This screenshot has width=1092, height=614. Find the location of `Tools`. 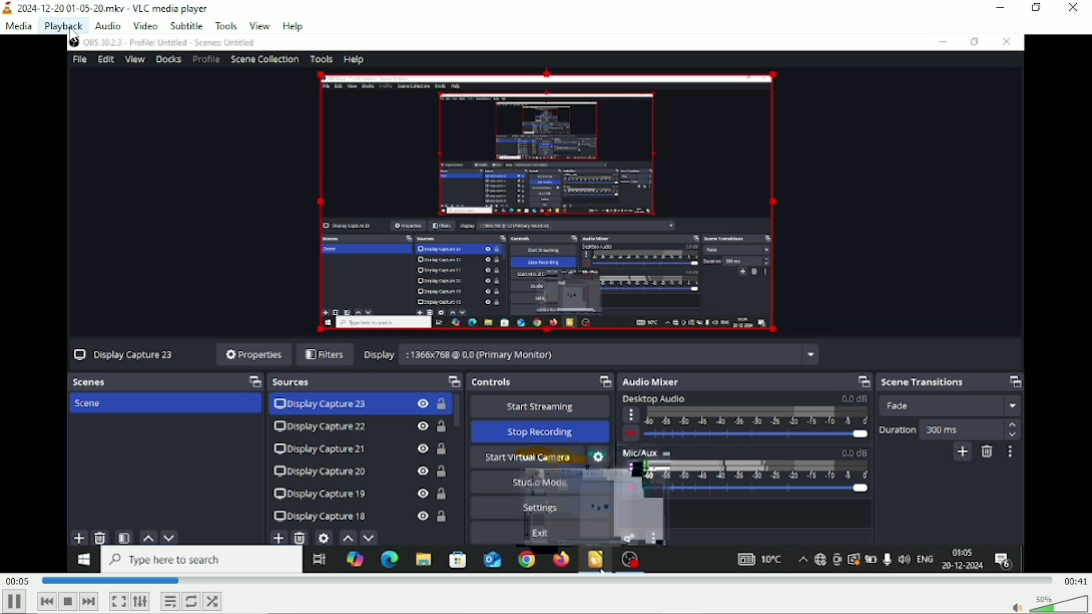

Tools is located at coordinates (227, 26).